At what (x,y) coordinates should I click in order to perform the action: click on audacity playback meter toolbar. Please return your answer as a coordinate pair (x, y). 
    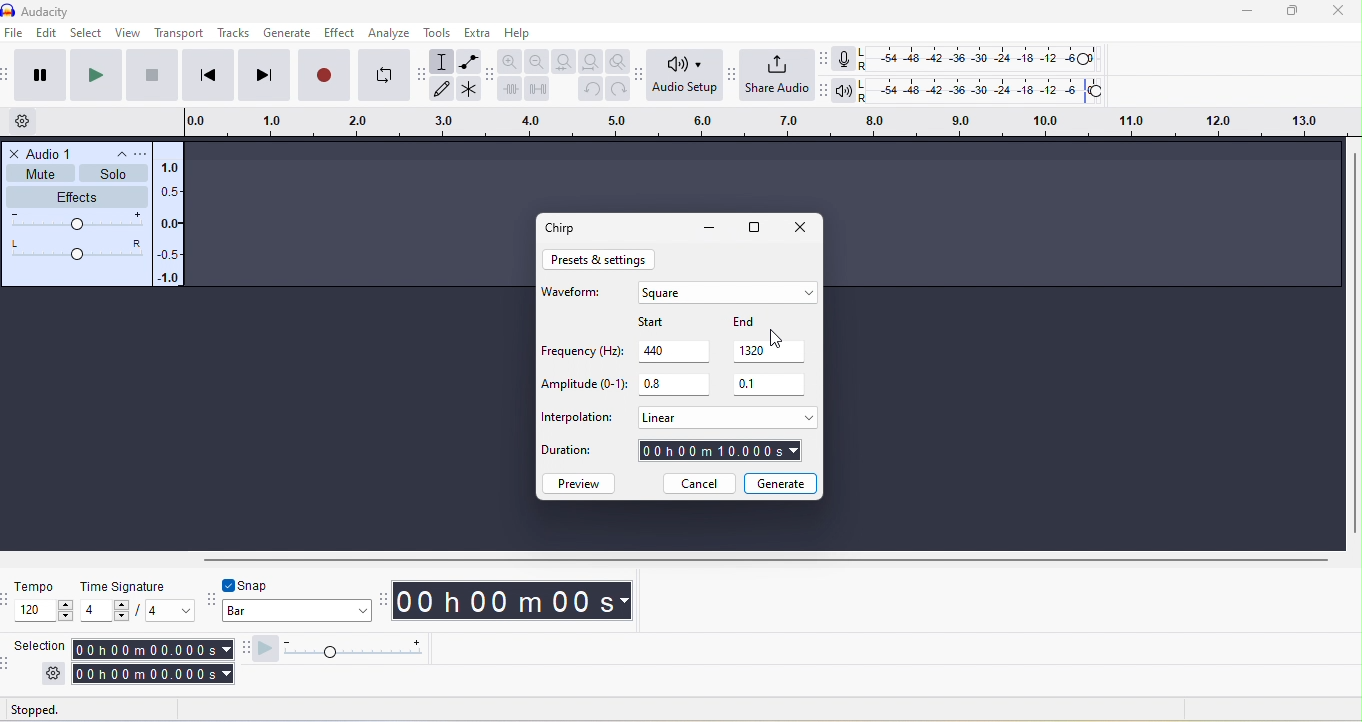
    Looking at the image, I should click on (824, 88).